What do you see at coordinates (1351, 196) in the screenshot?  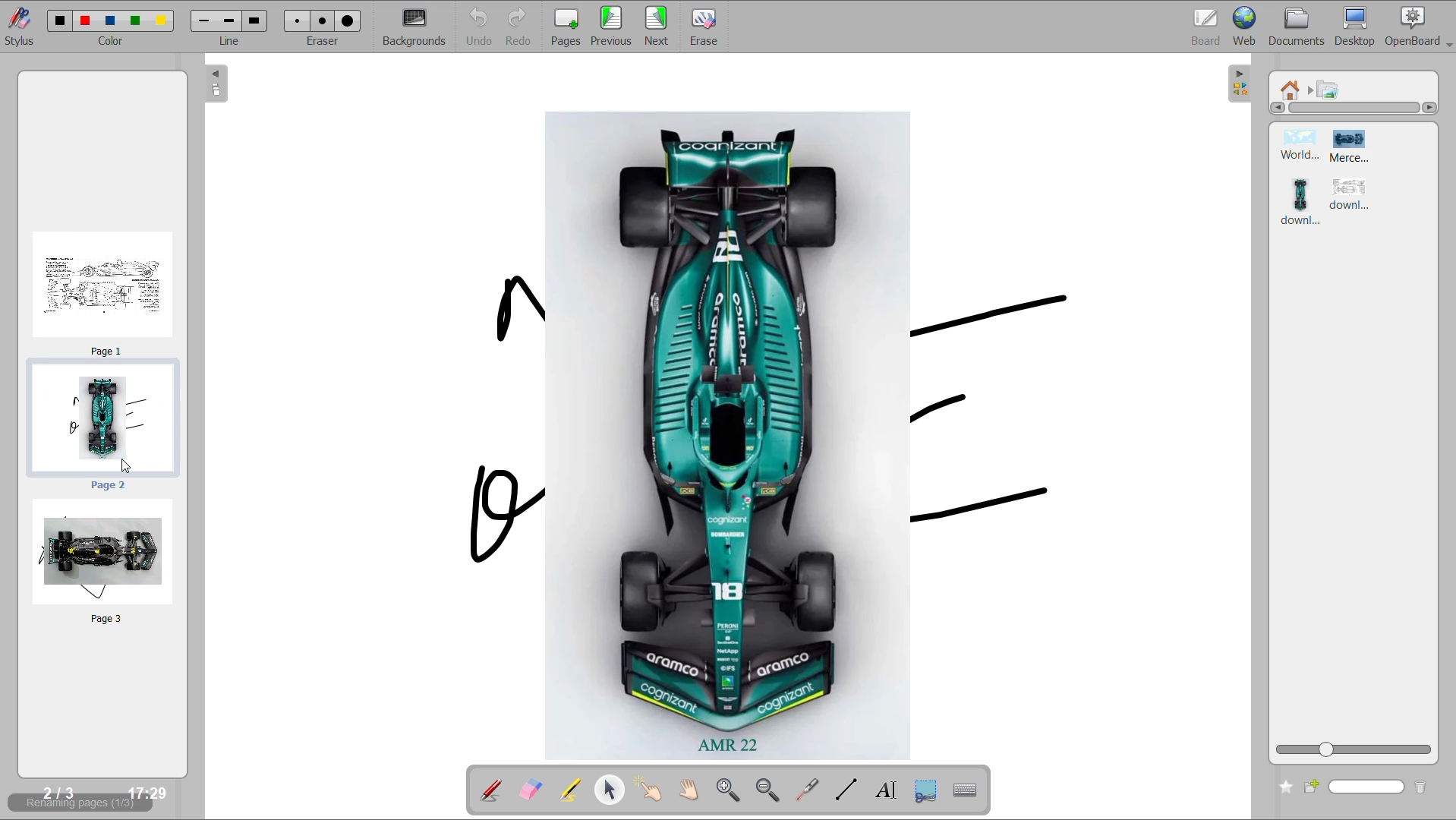 I see `image 4` at bounding box center [1351, 196].